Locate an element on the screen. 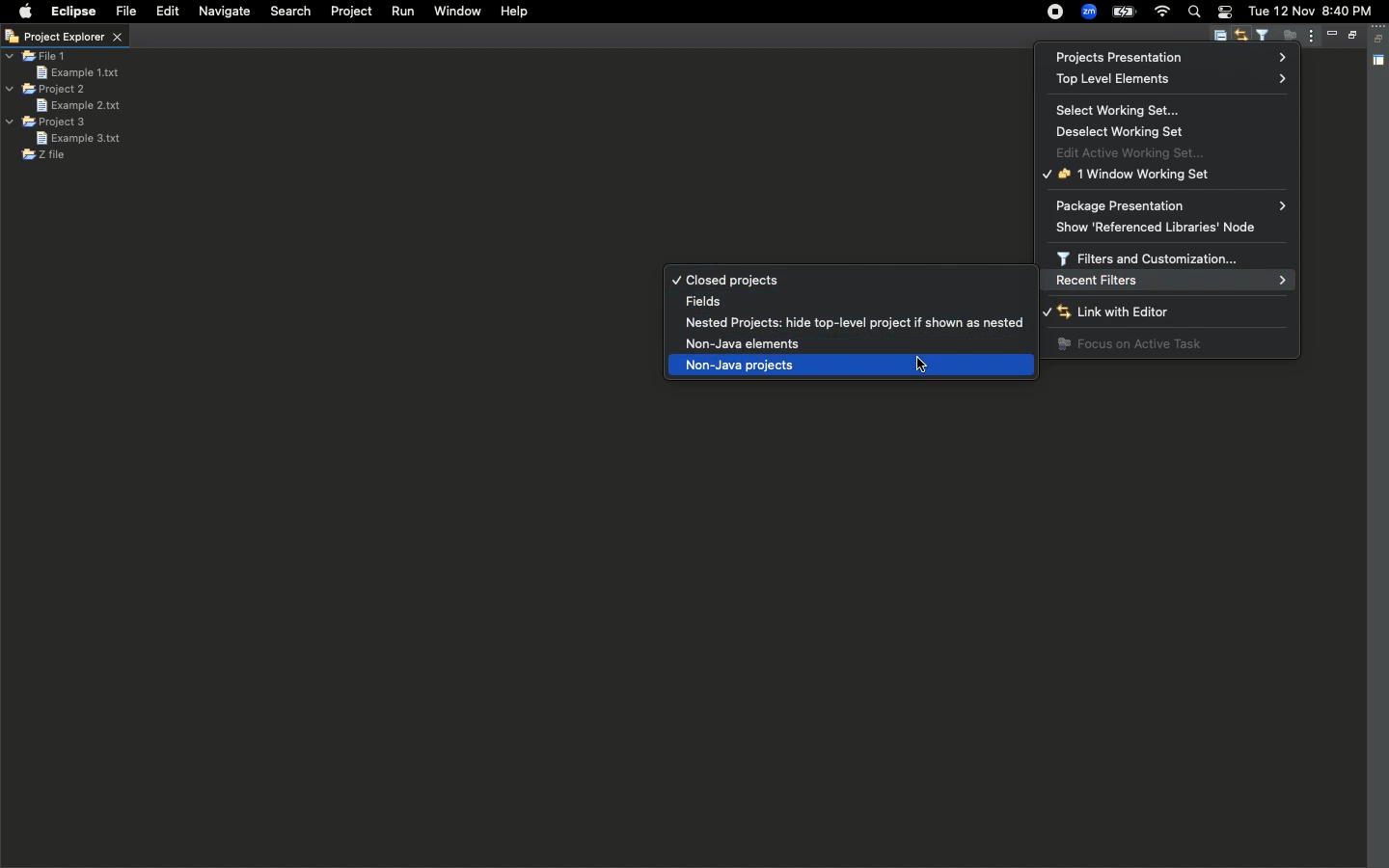 This screenshot has width=1389, height=868. Charge is located at coordinates (1124, 14).